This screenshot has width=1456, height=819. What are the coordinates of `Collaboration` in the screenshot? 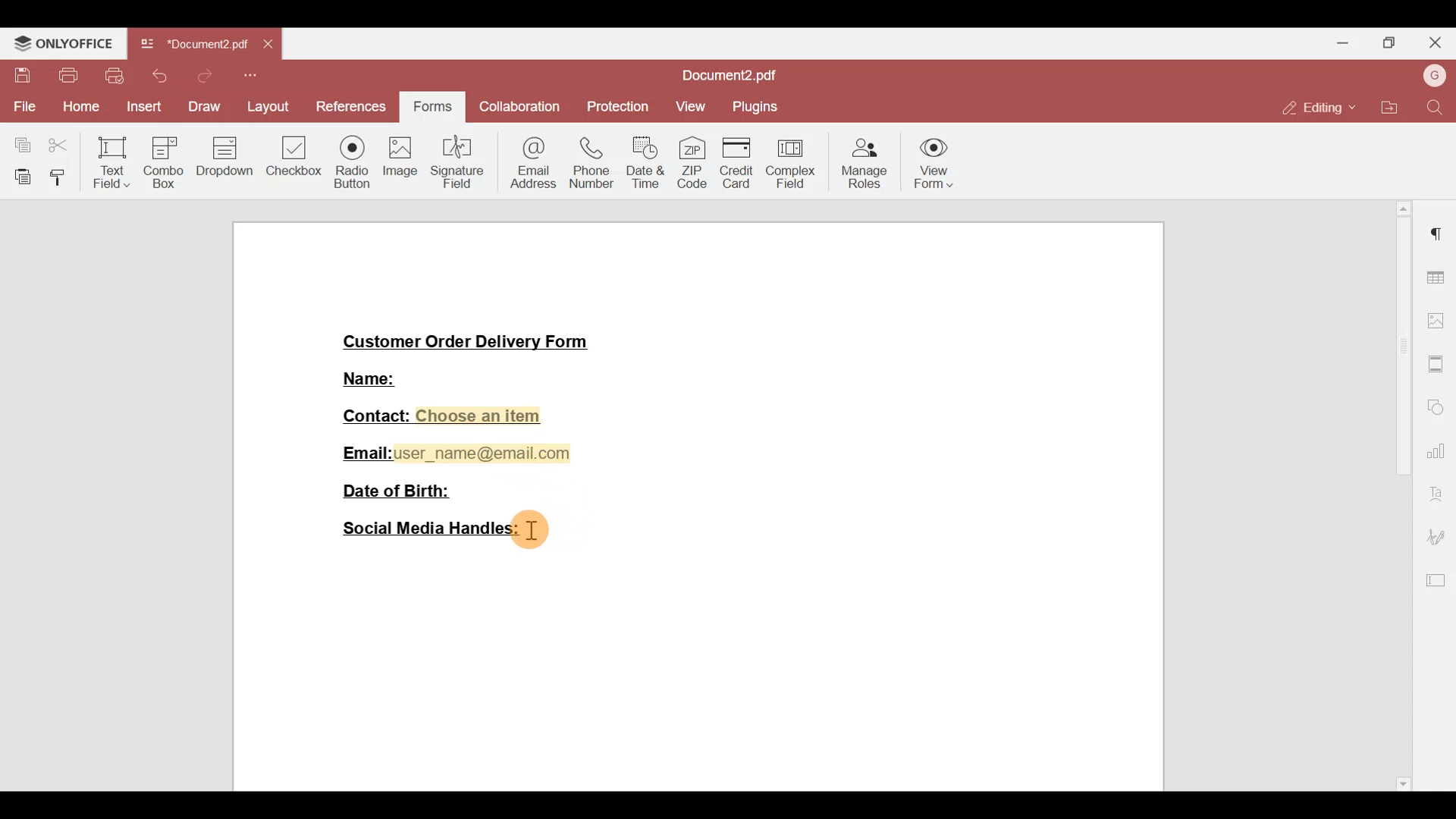 It's located at (521, 108).